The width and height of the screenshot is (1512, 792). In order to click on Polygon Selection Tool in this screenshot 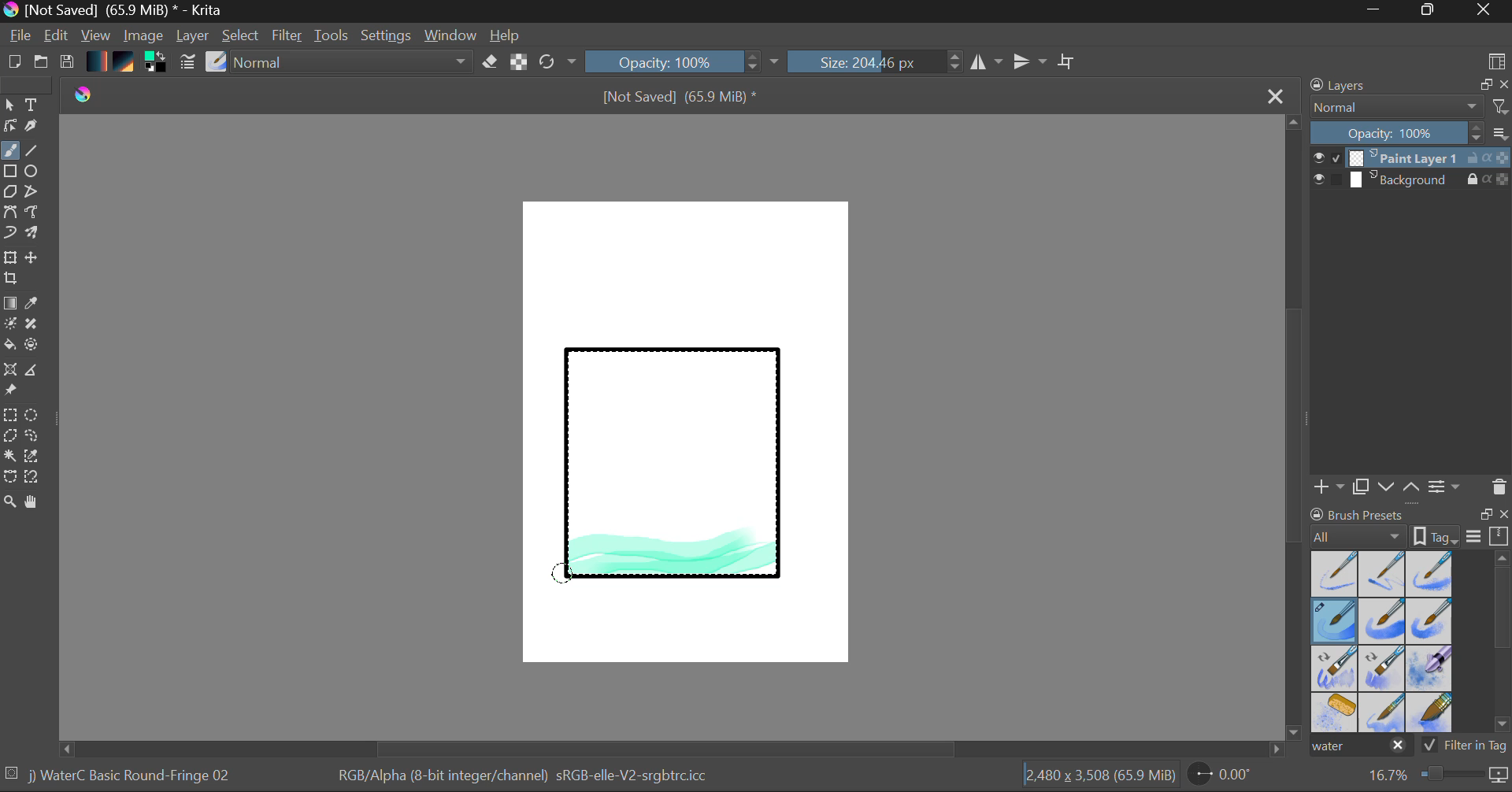, I will do `click(9, 436)`.